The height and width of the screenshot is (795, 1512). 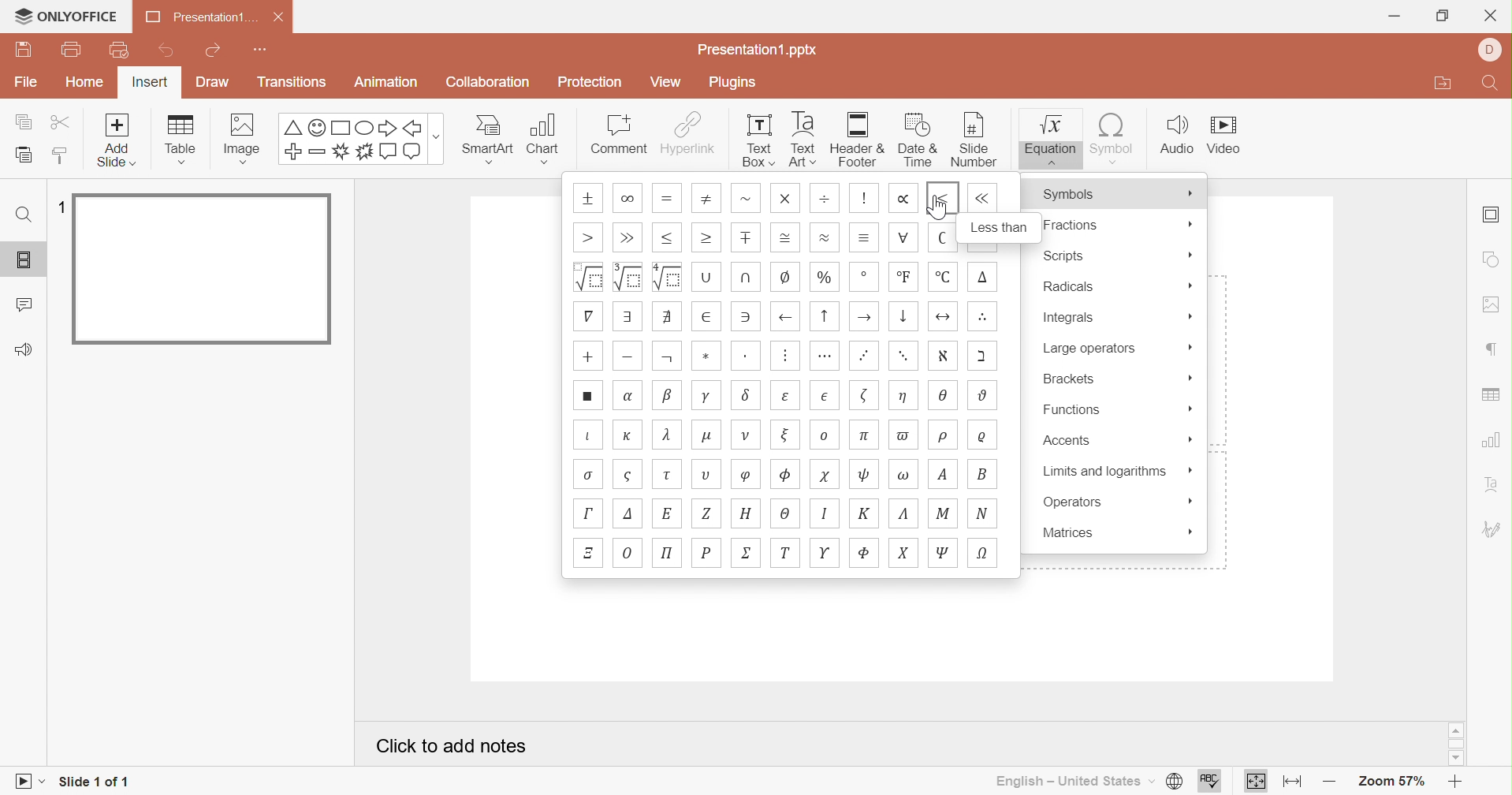 I want to click on Draw, so click(x=213, y=84).